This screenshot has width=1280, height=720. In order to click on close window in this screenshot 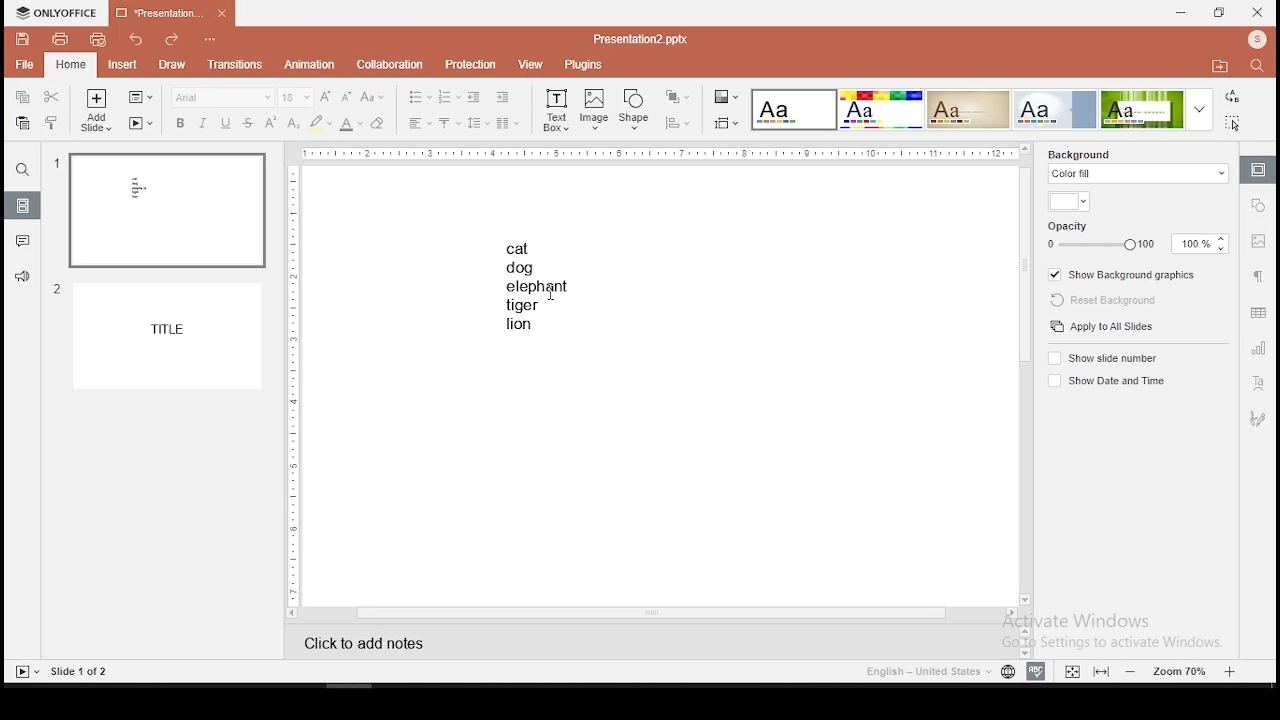, I will do `click(1259, 13)`.